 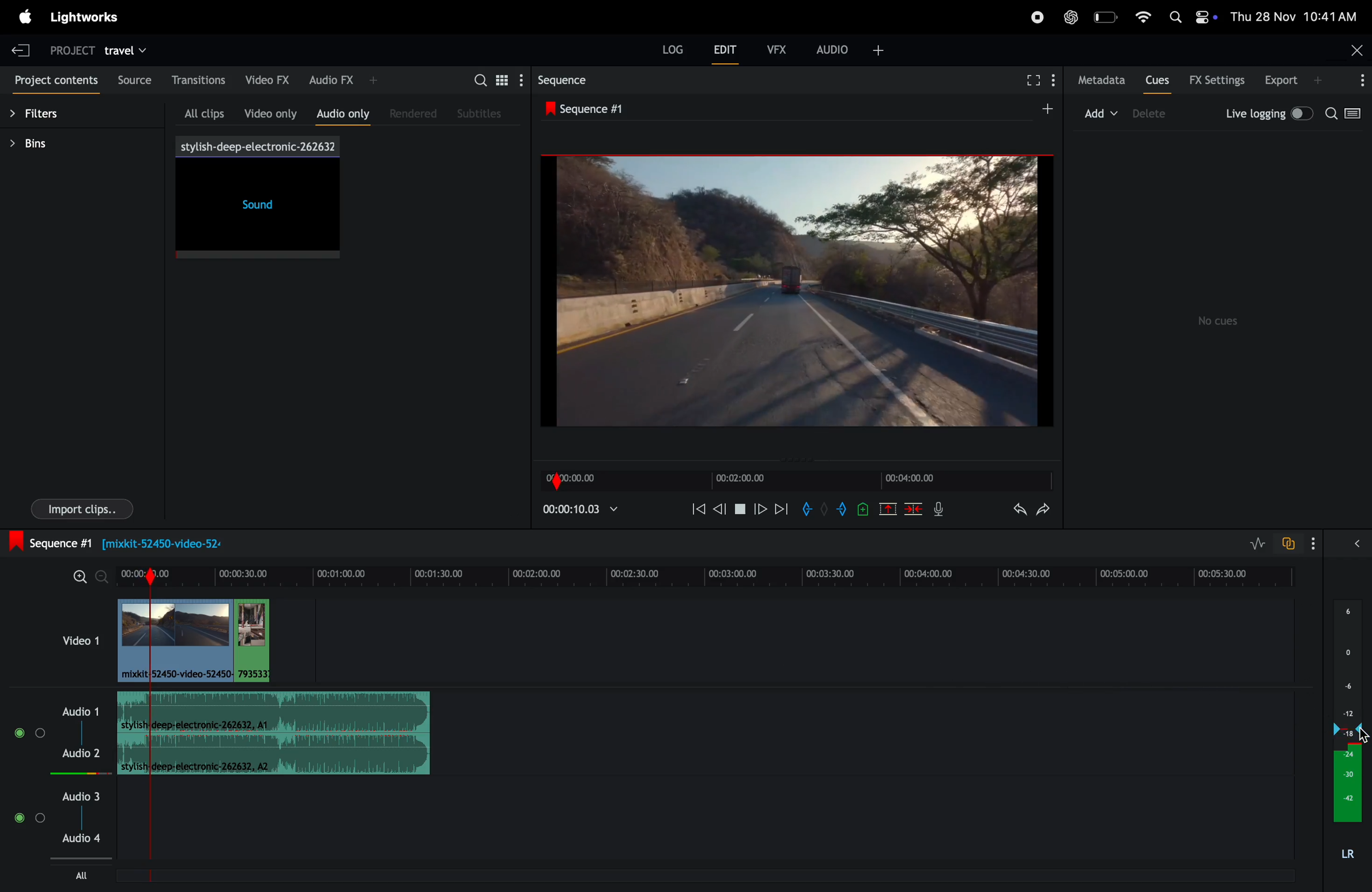 What do you see at coordinates (49, 113) in the screenshot?
I see `filters` at bounding box center [49, 113].